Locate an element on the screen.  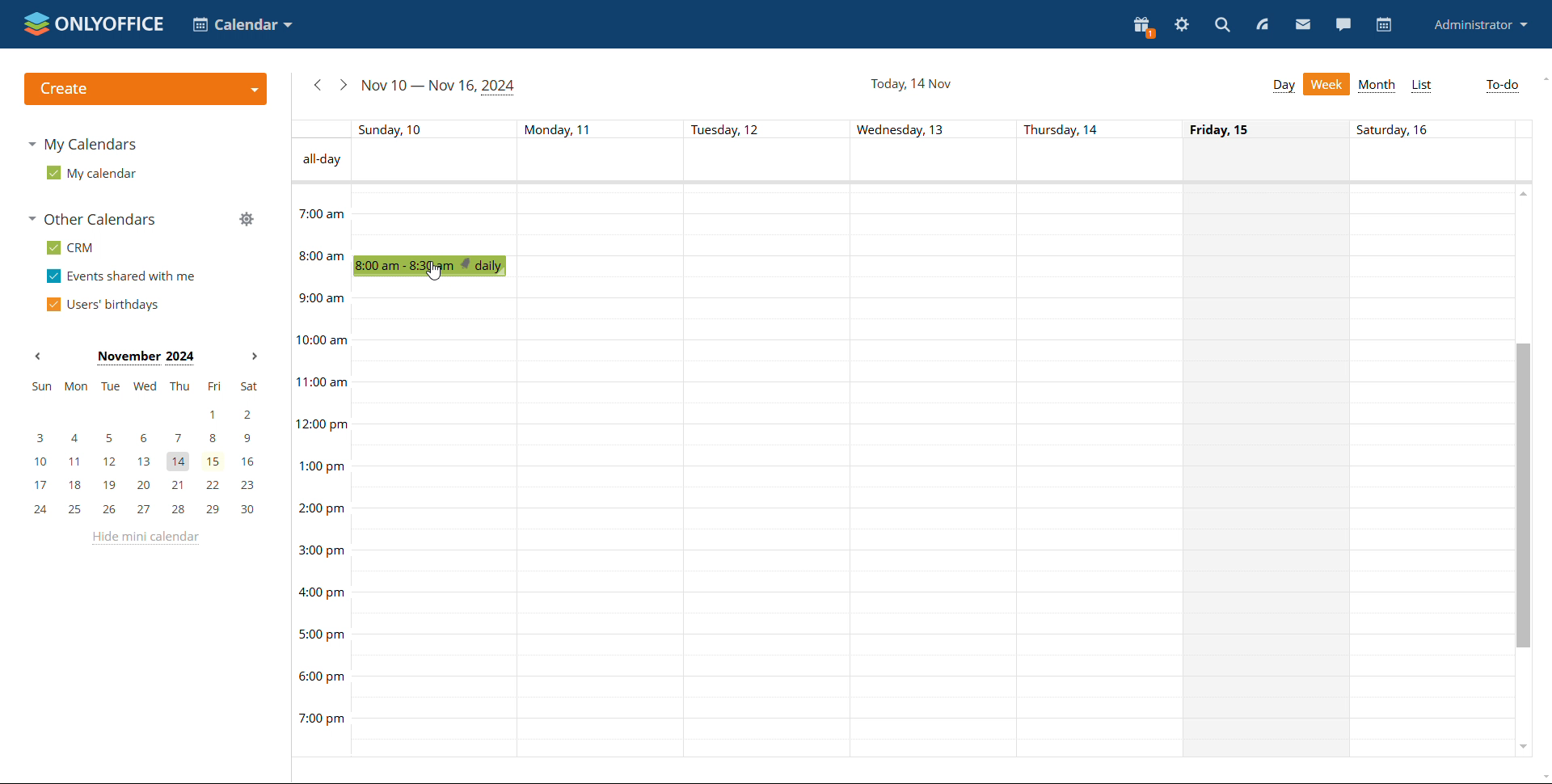
mail is located at coordinates (1303, 23).